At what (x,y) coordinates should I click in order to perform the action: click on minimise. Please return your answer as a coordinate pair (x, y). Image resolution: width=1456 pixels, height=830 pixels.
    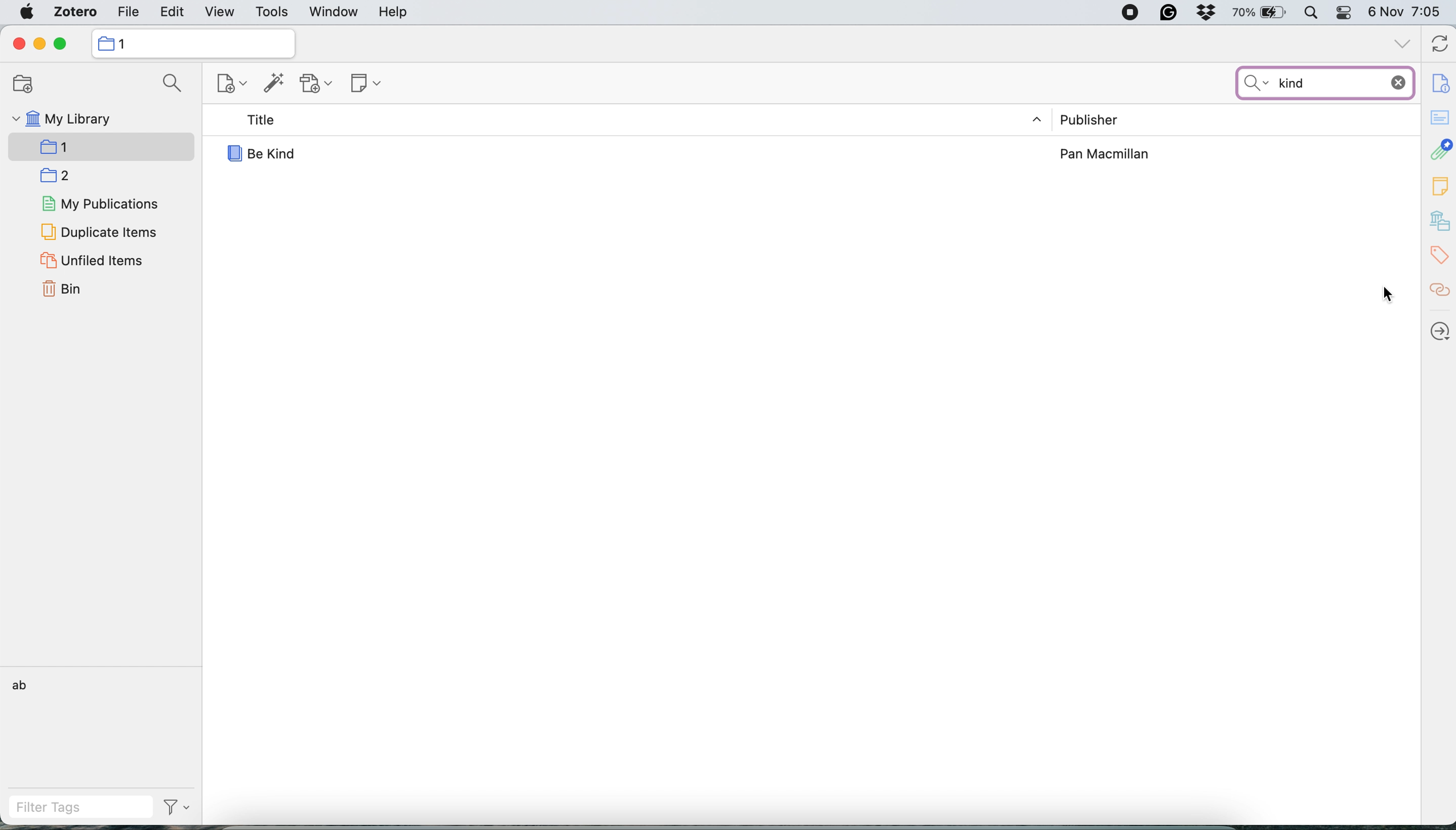
    Looking at the image, I should click on (39, 44).